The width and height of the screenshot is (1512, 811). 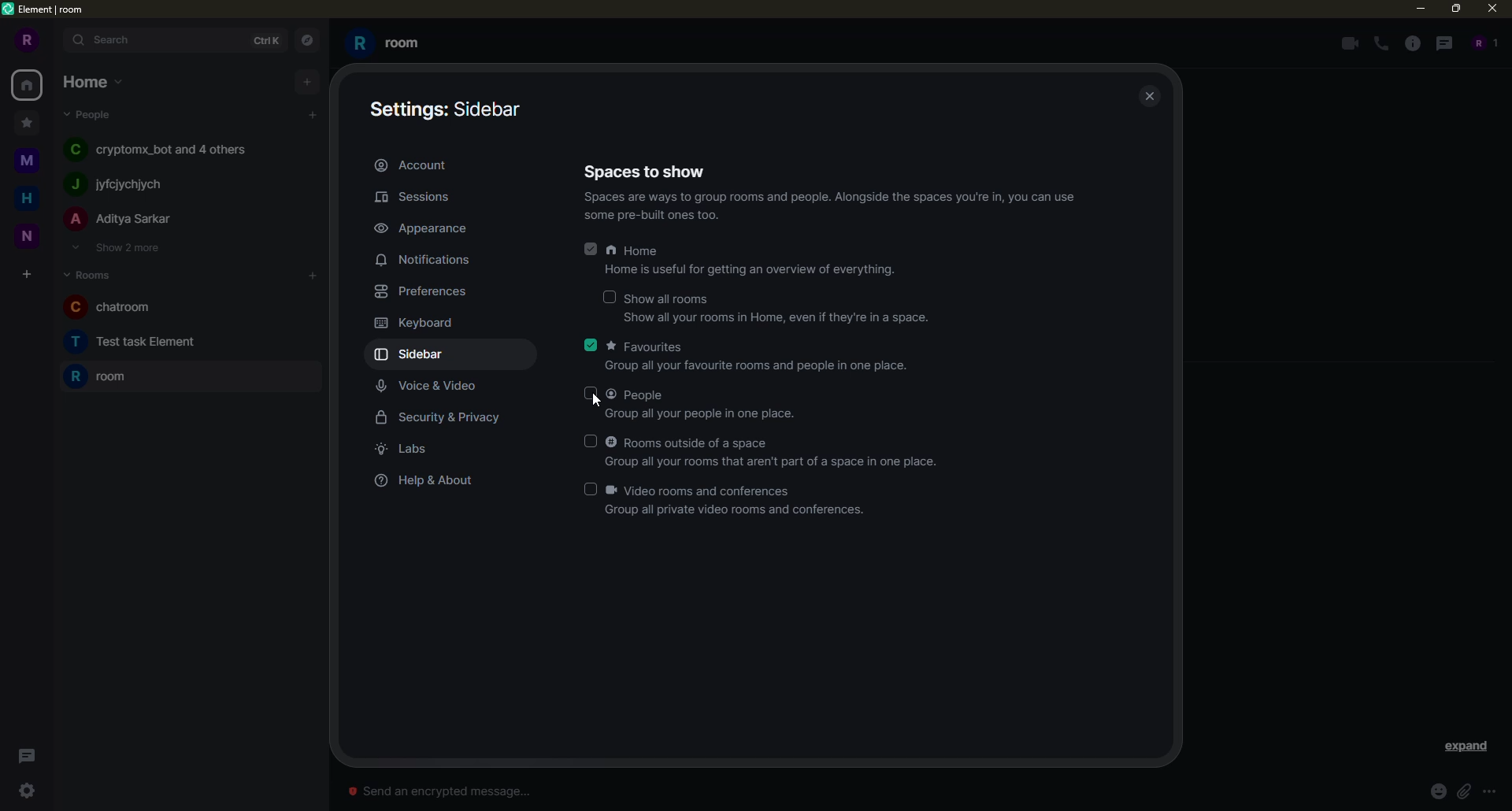 What do you see at coordinates (1463, 791) in the screenshot?
I see `attach` at bounding box center [1463, 791].